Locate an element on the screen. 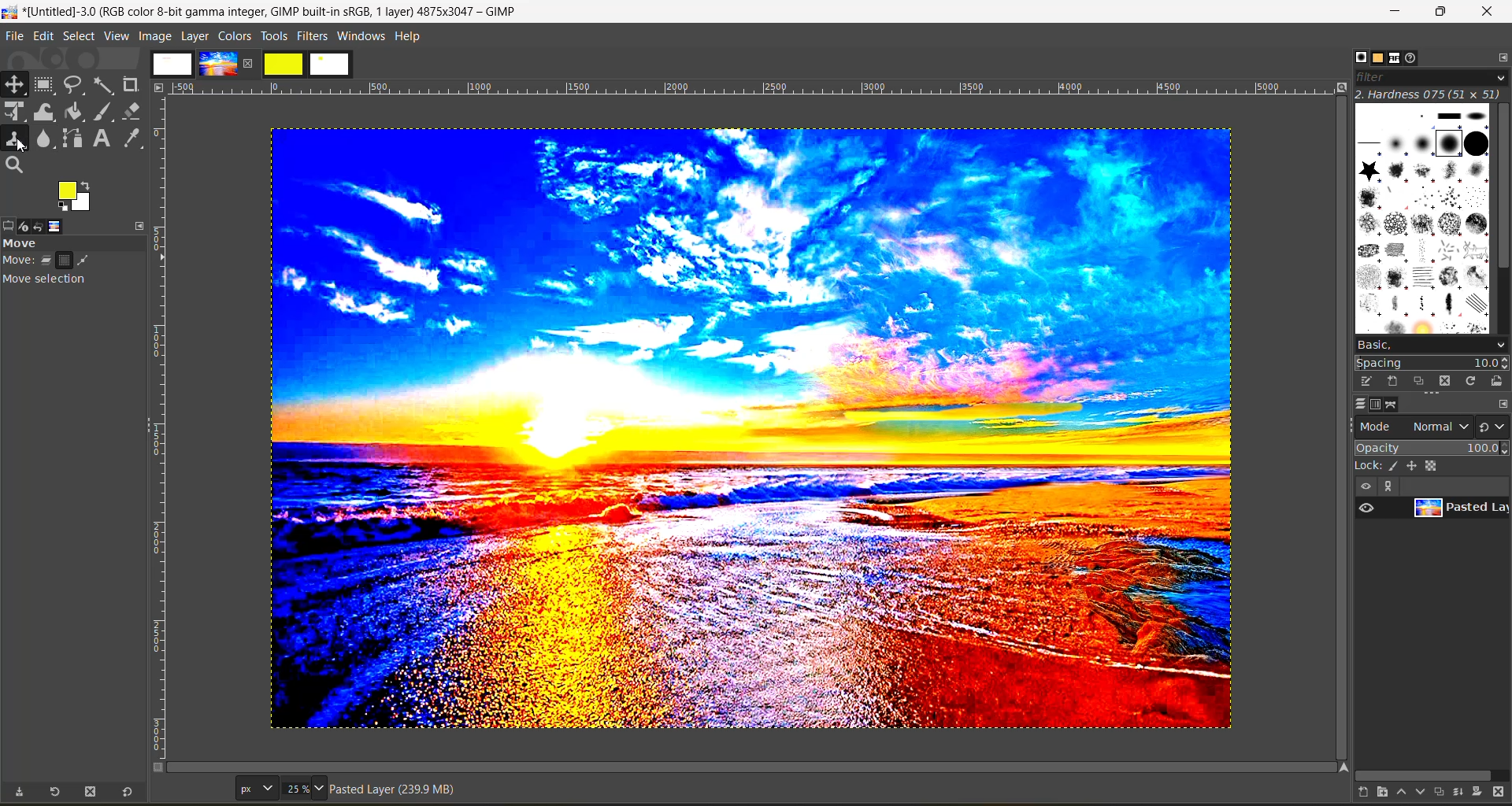  move is located at coordinates (78, 268).